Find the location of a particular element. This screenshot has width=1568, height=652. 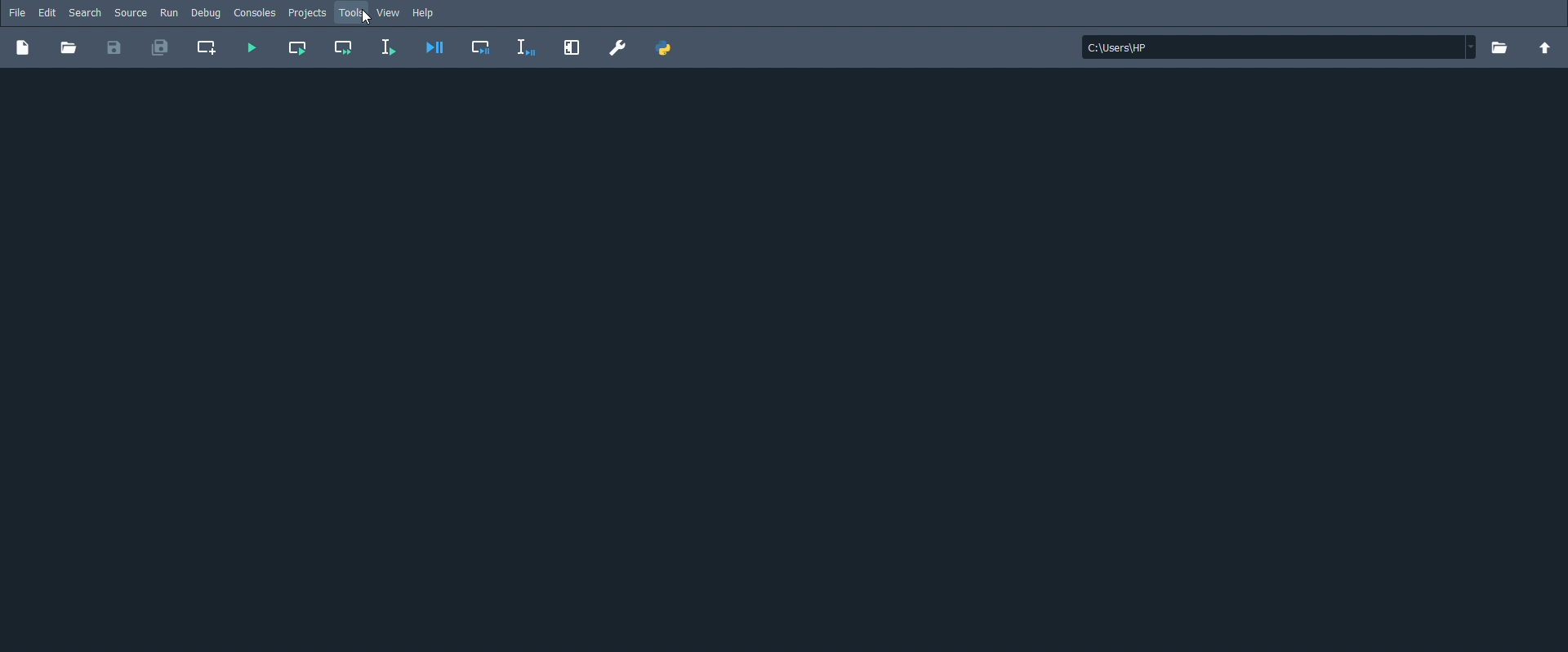

Run file is located at coordinates (249, 48).